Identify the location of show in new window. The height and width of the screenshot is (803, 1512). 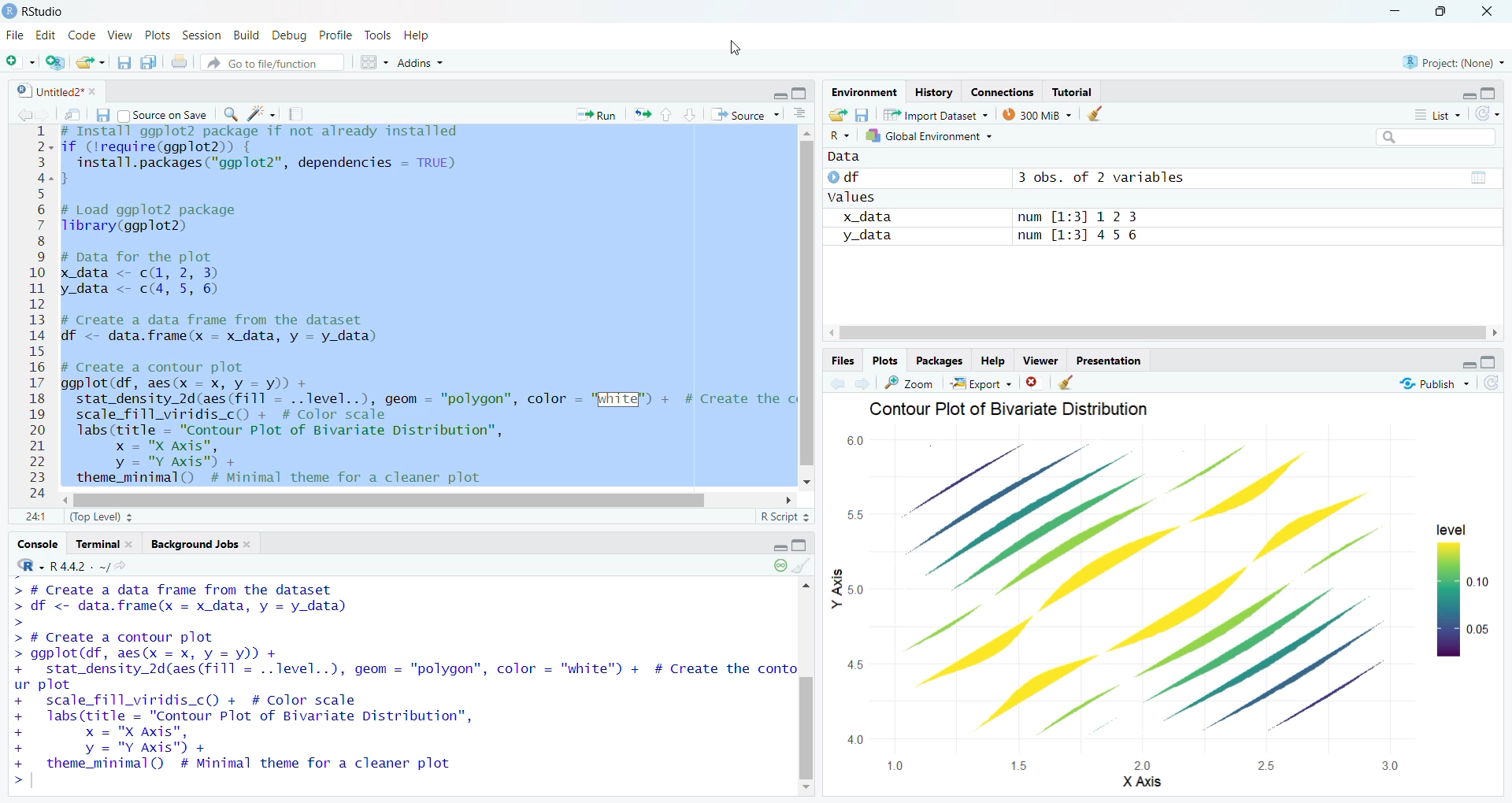
(72, 116).